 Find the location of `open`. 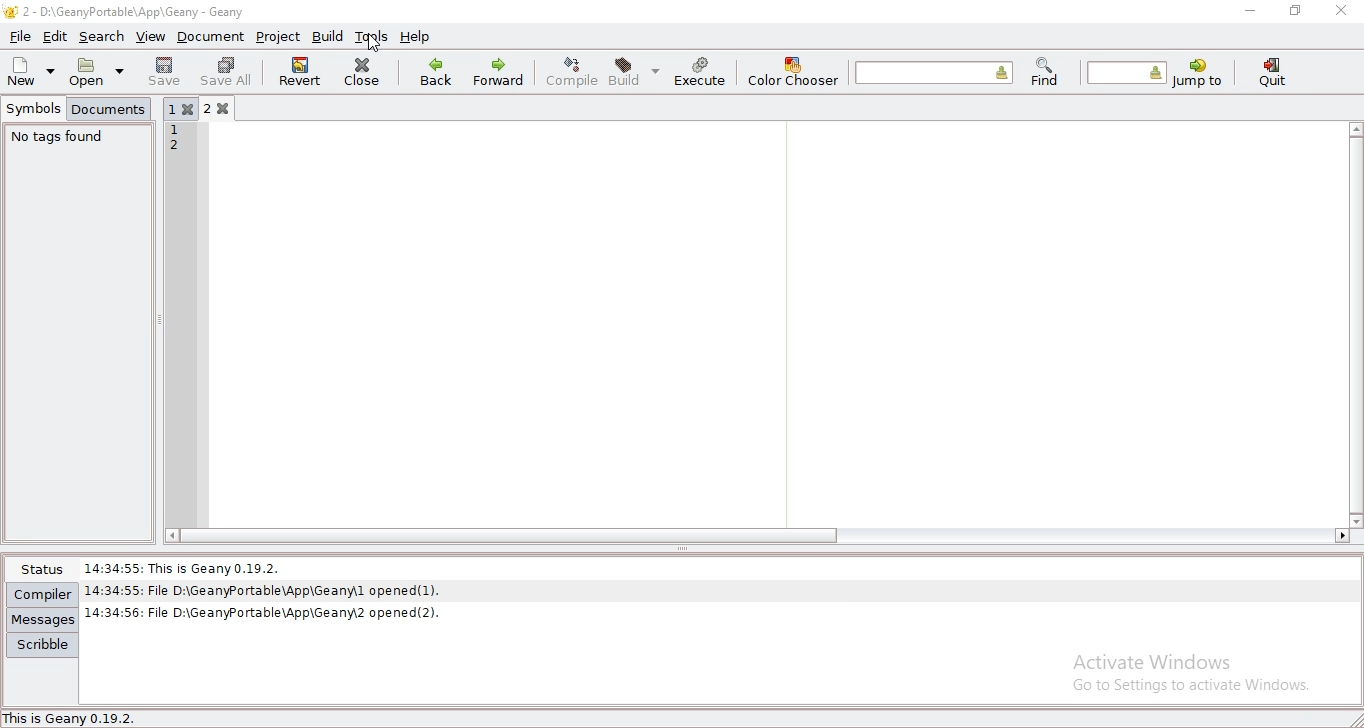

open is located at coordinates (91, 72).